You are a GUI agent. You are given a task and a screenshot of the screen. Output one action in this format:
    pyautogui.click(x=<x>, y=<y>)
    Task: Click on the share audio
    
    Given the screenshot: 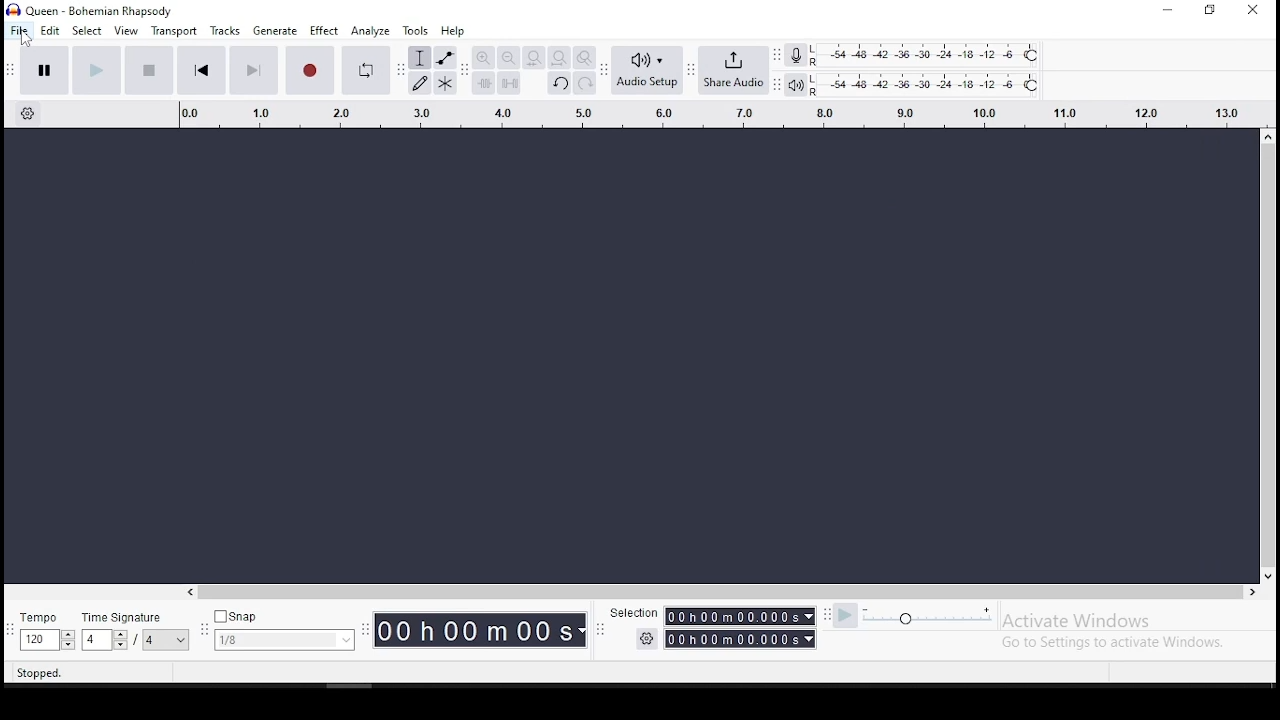 What is the action you would take?
    pyautogui.click(x=735, y=72)
    